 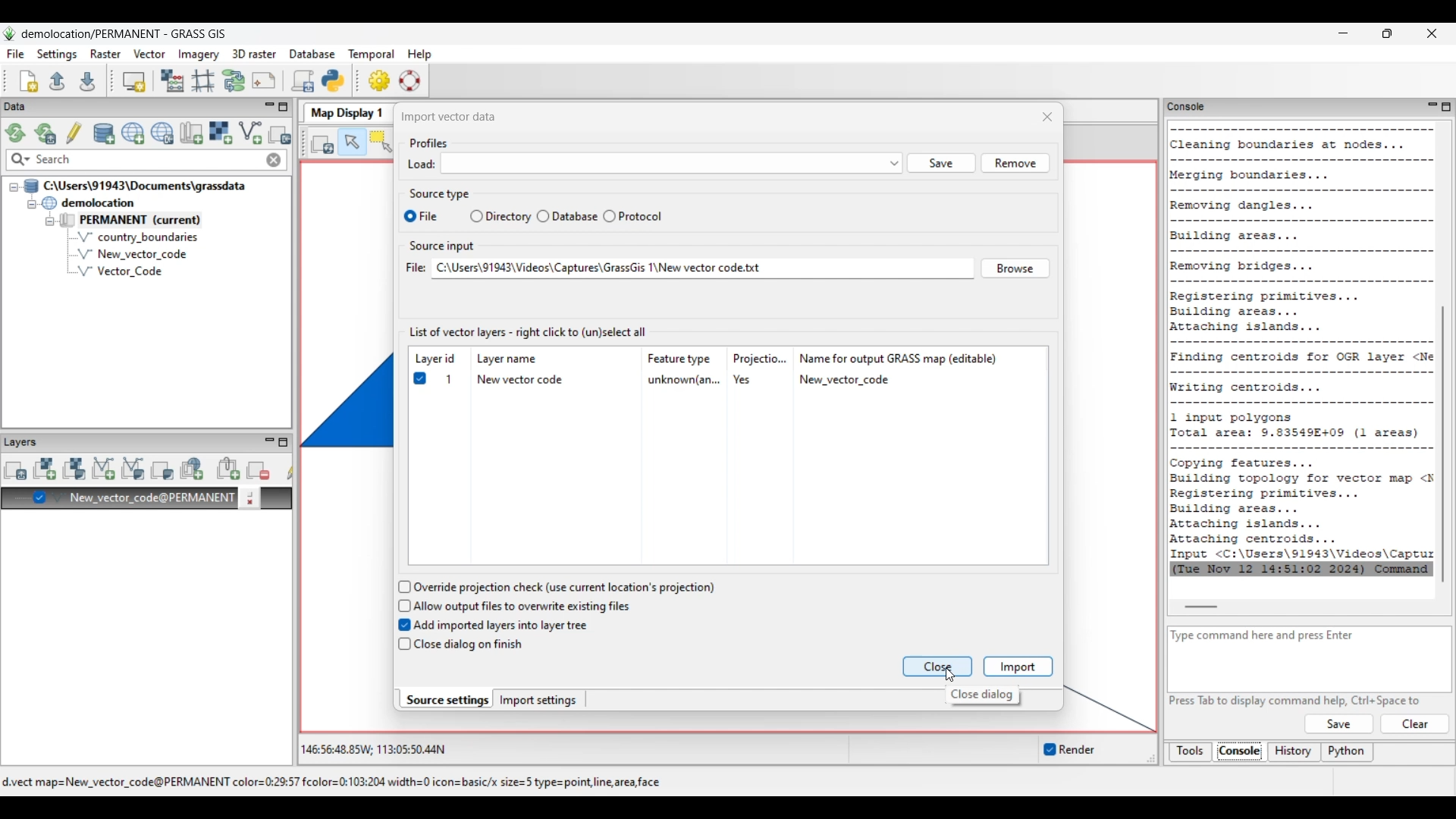 What do you see at coordinates (447, 246) in the screenshot?
I see `Source input` at bounding box center [447, 246].